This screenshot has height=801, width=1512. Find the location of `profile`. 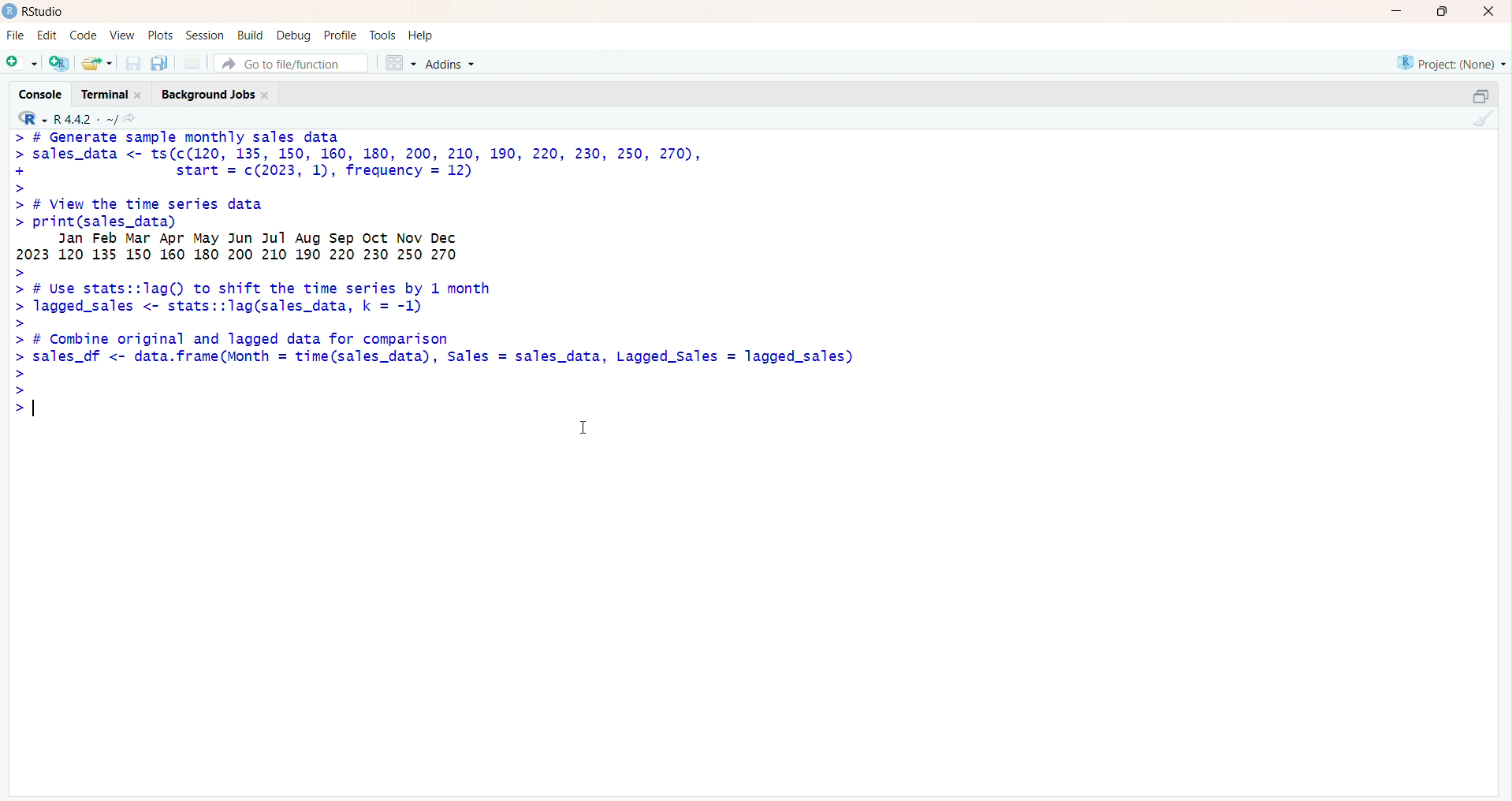

profile is located at coordinates (341, 35).